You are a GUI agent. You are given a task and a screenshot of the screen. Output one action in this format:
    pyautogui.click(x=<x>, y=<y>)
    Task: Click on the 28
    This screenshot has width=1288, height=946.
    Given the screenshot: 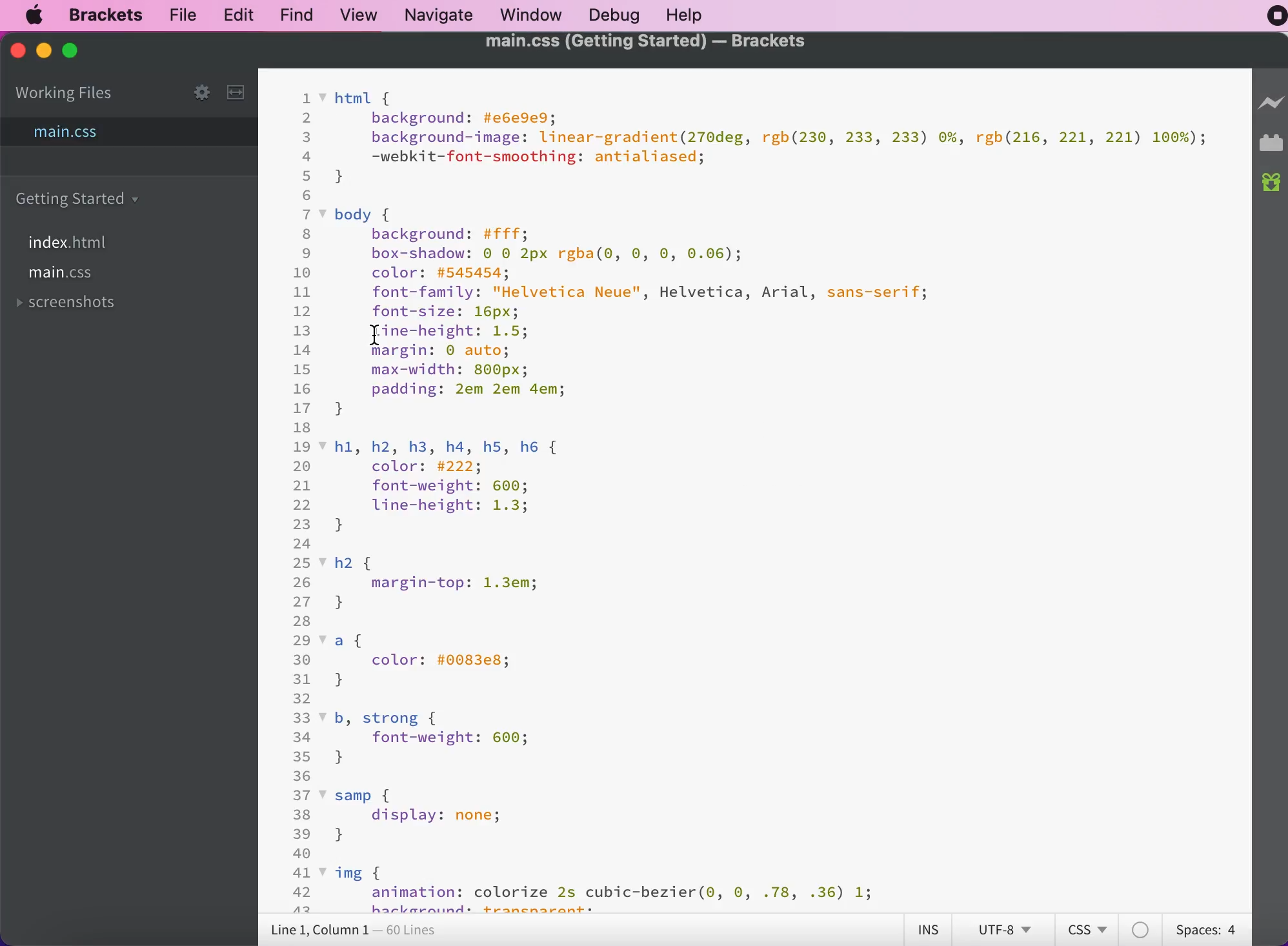 What is the action you would take?
    pyautogui.click(x=302, y=621)
    